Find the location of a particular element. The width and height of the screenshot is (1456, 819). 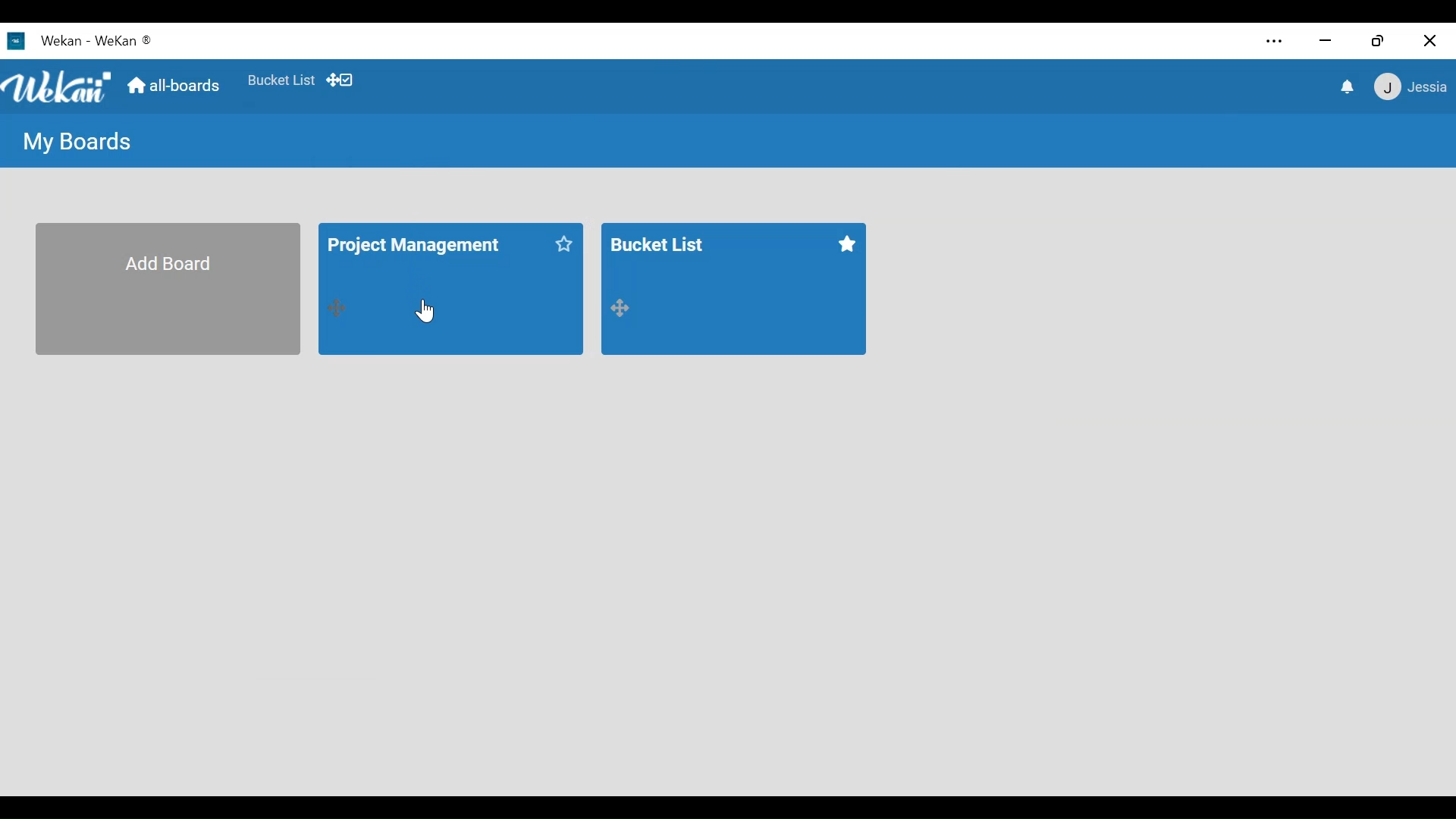

notifications is located at coordinates (1346, 86).